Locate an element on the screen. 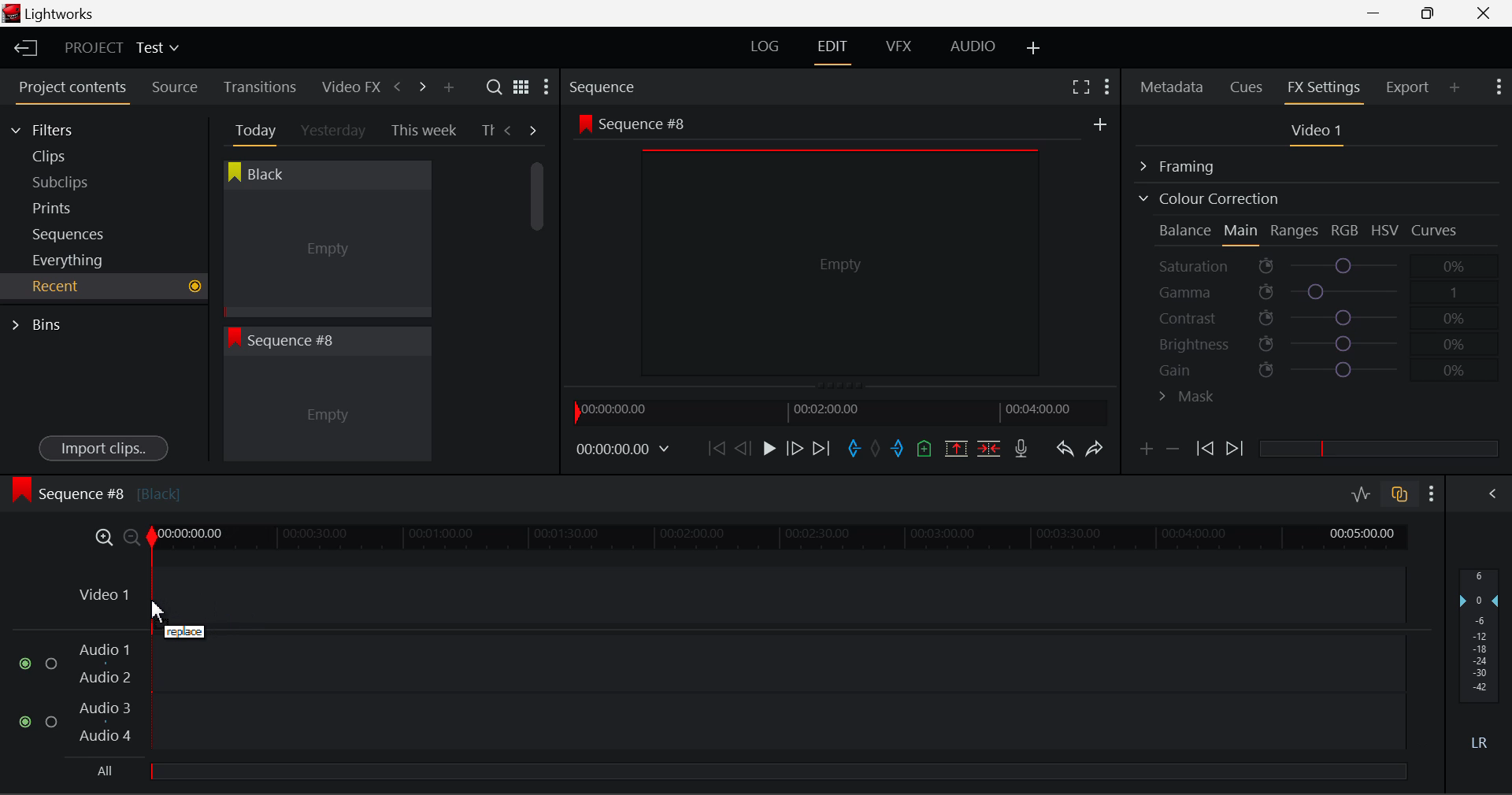  Play is located at coordinates (767, 449).